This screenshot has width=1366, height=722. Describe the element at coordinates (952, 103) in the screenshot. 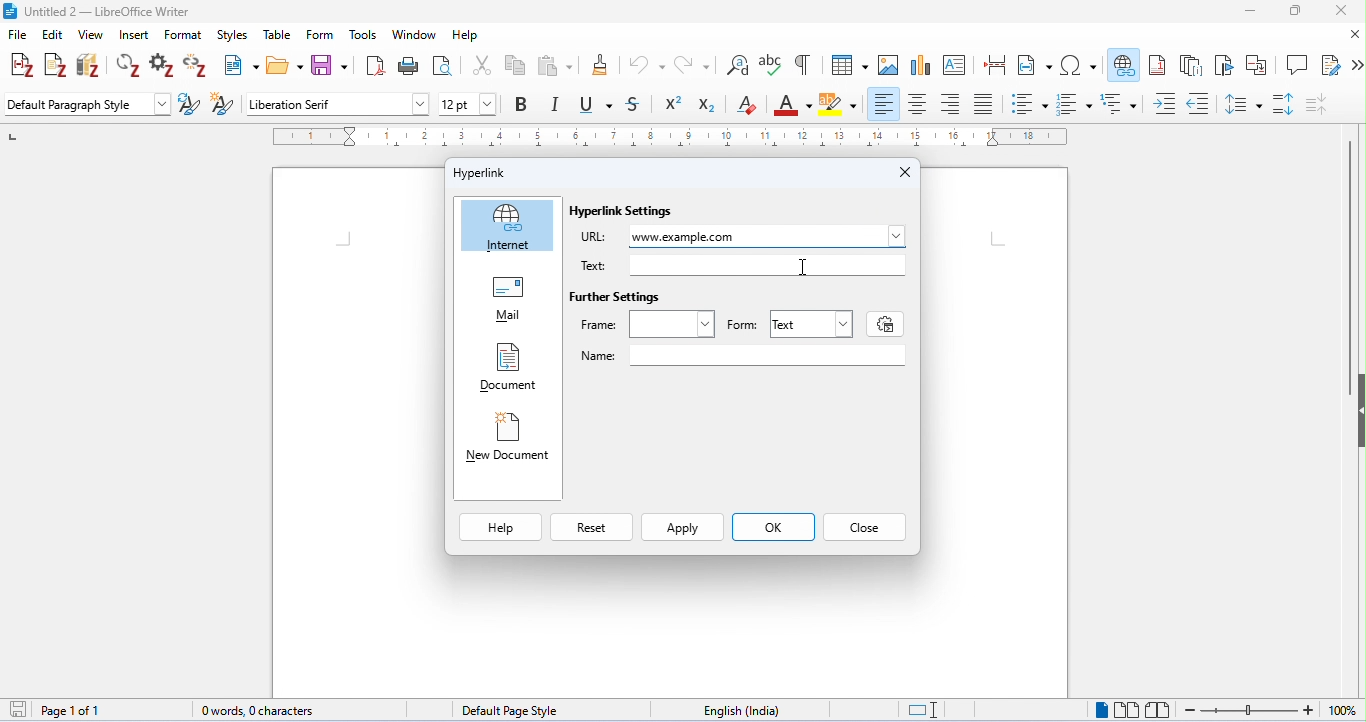

I see `align right` at that location.